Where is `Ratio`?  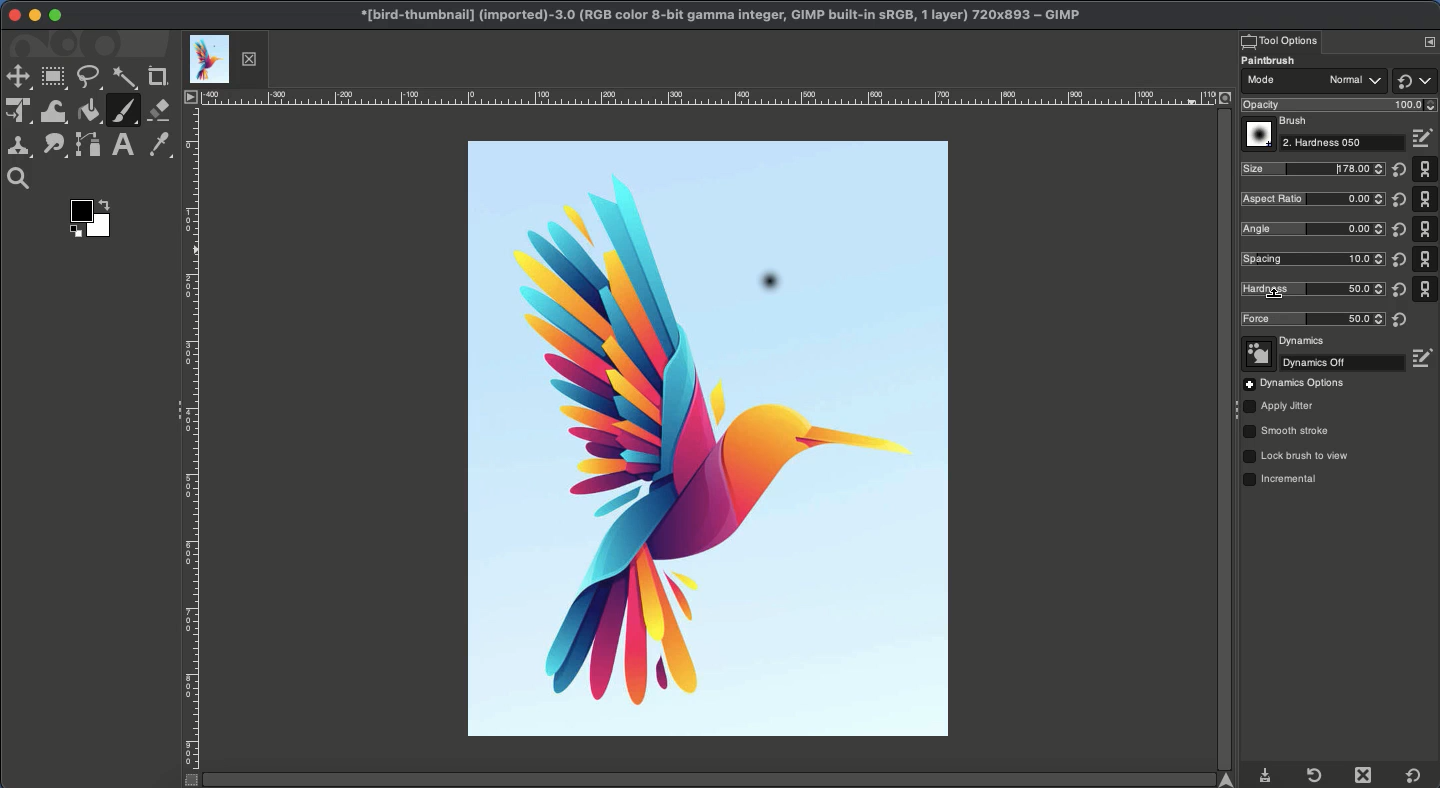 Ratio is located at coordinates (1314, 200).